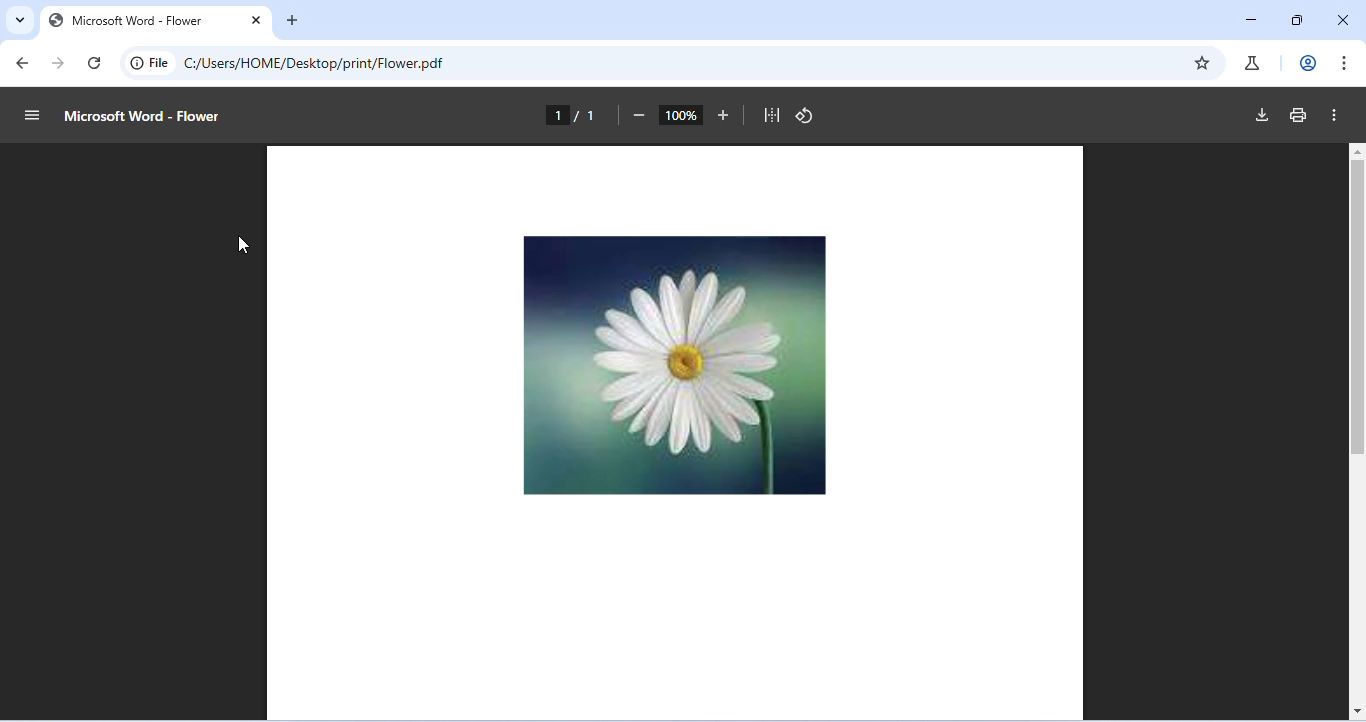 Image resolution: width=1366 pixels, height=722 pixels. Describe the element at coordinates (675, 431) in the screenshot. I see `PDF file containing image of flower opened` at that location.